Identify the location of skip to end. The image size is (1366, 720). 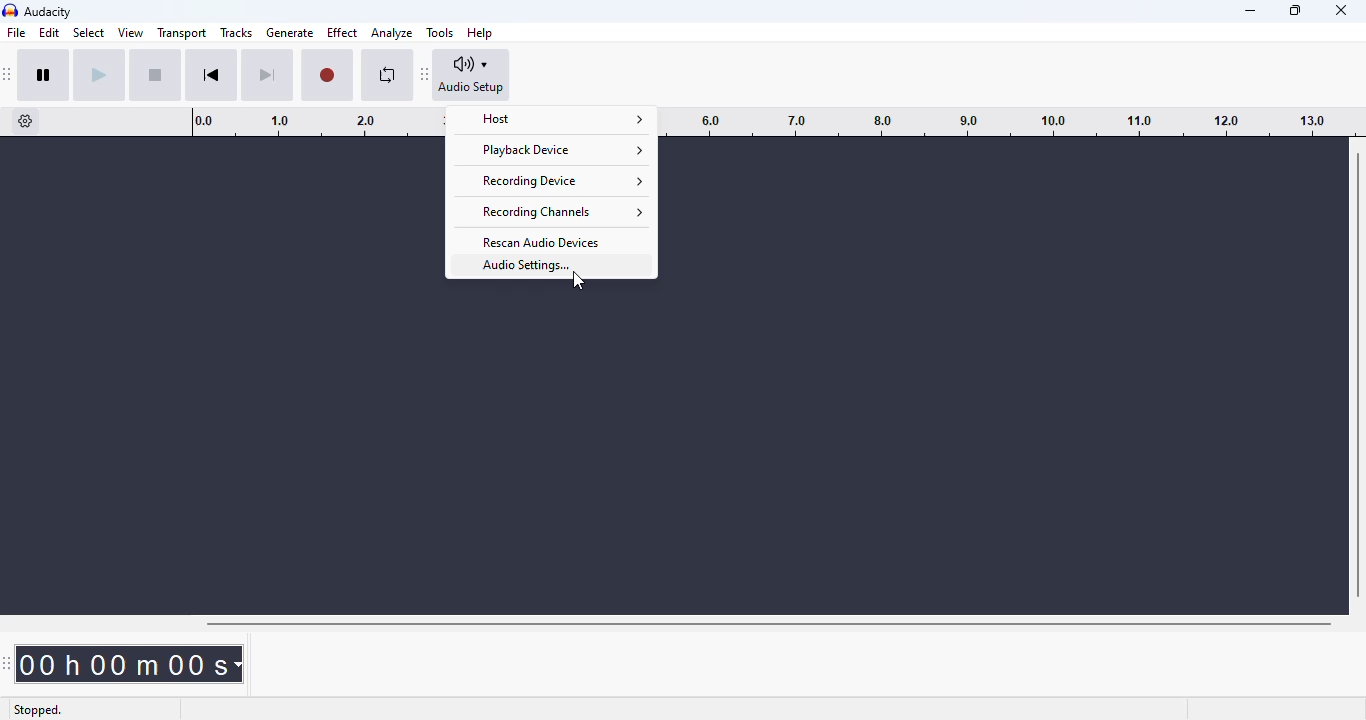
(266, 76).